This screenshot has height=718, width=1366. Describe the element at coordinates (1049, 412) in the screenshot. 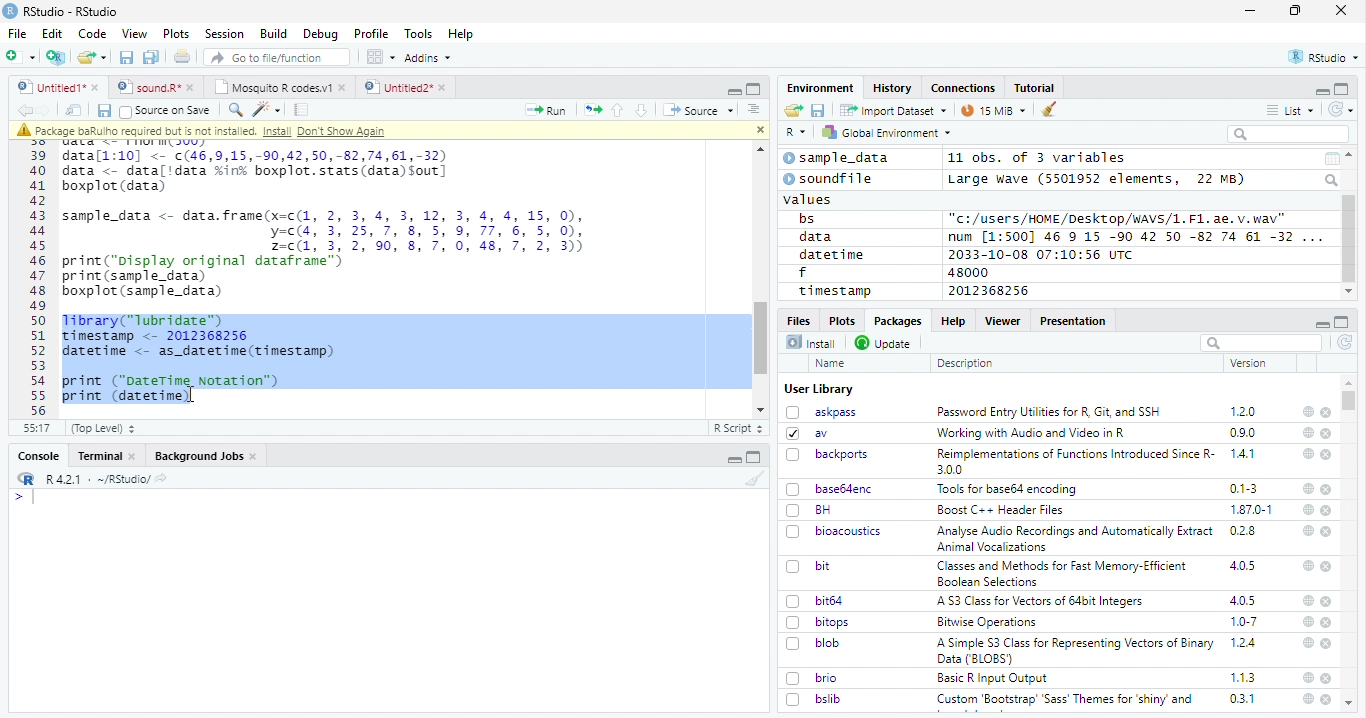

I see `Password Entry Utilities for R, Git, and SSH` at that location.